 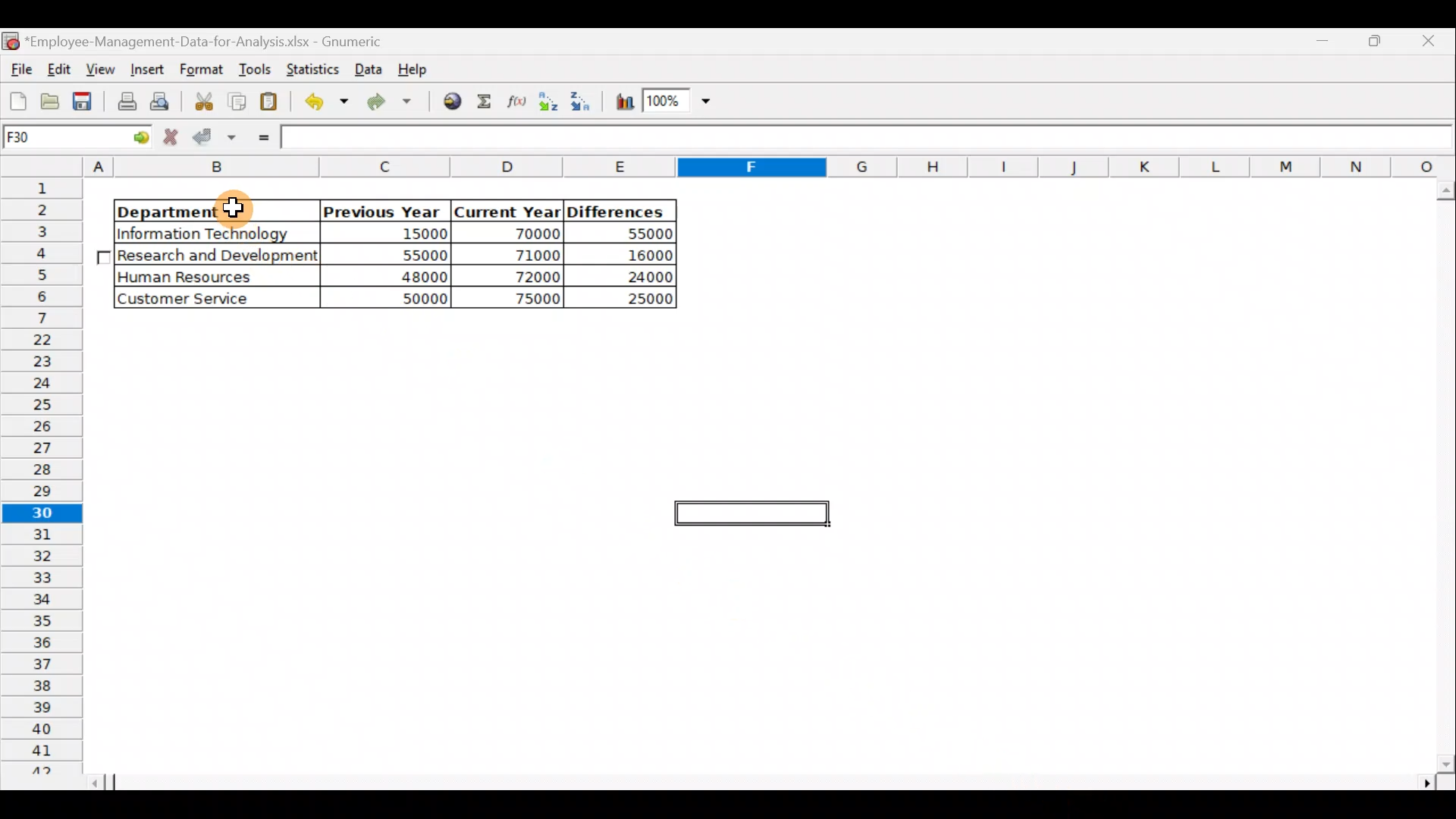 What do you see at coordinates (324, 101) in the screenshot?
I see `Undo last action` at bounding box center [324, 101].